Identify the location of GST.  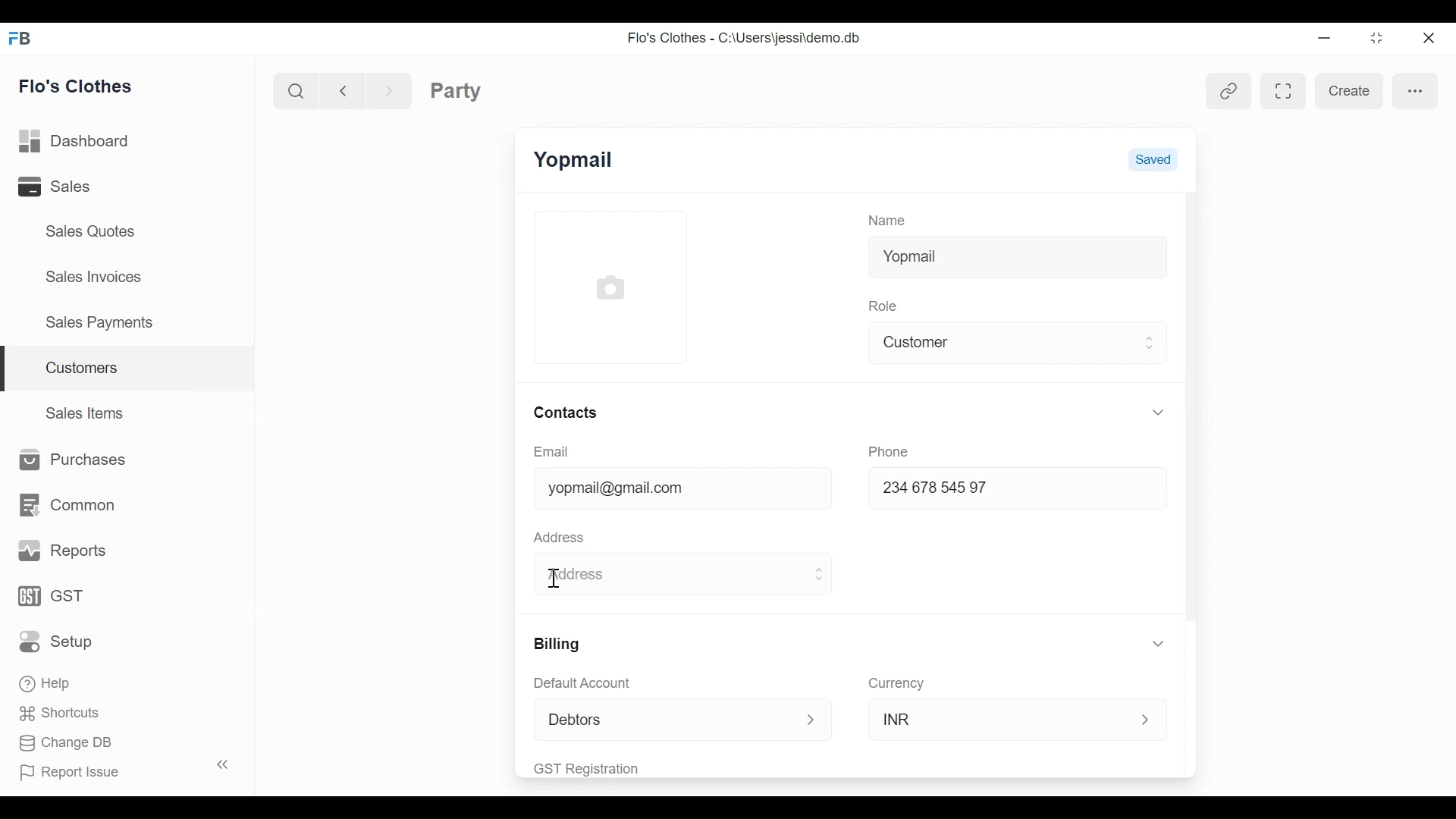
(53, 598).